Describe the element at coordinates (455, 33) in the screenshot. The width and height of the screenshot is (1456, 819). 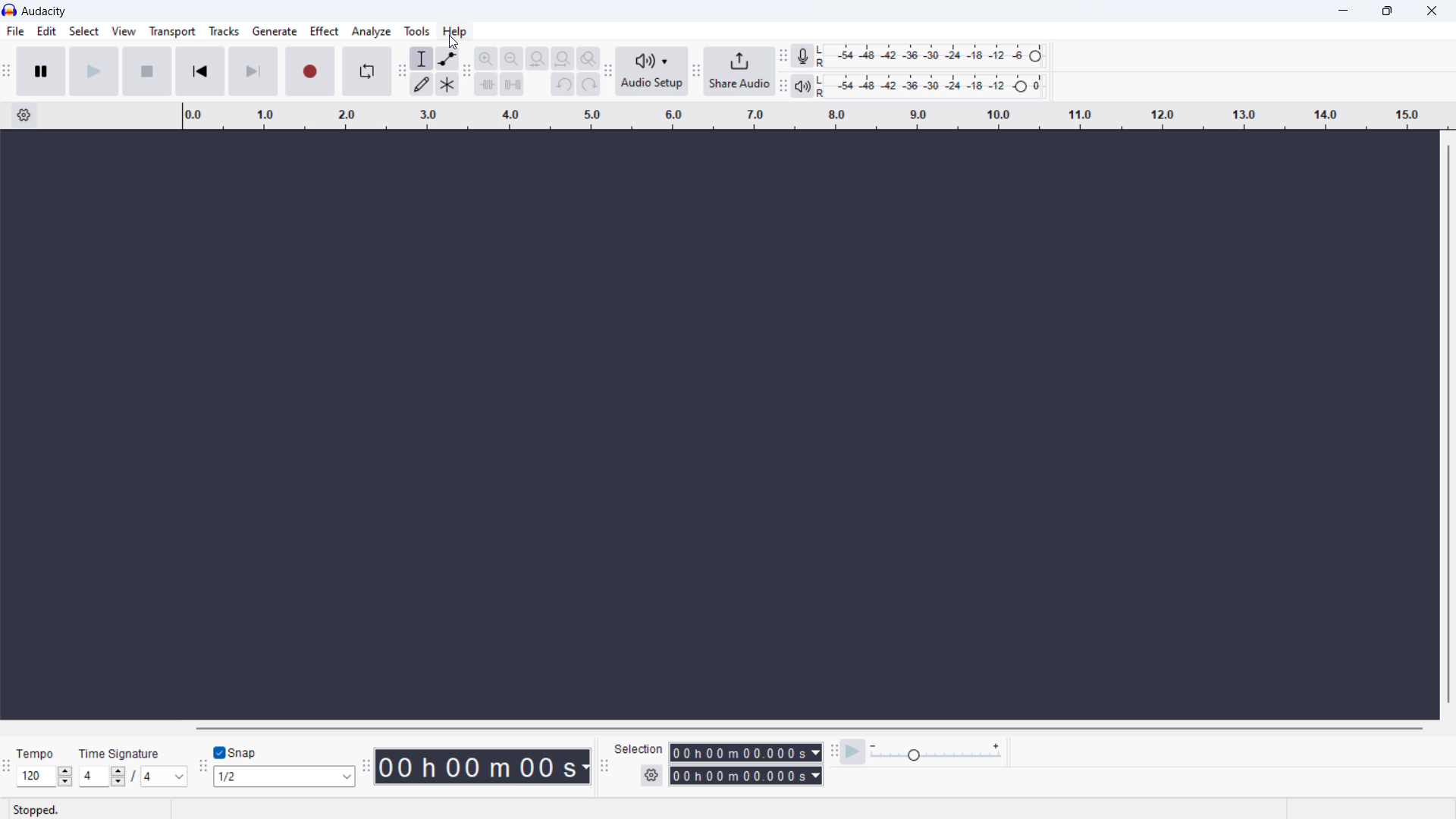
I see `Cursor on help` at that location.